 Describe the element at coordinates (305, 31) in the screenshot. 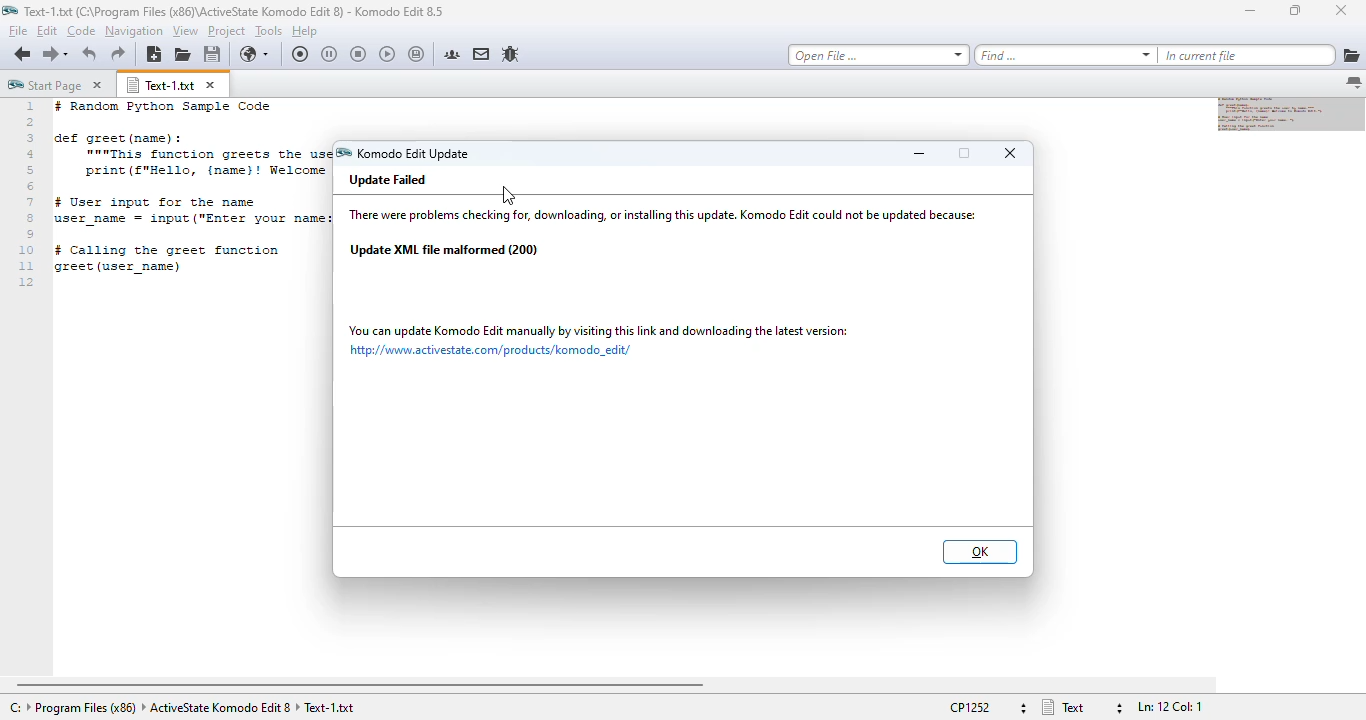

I see `help` at that location.